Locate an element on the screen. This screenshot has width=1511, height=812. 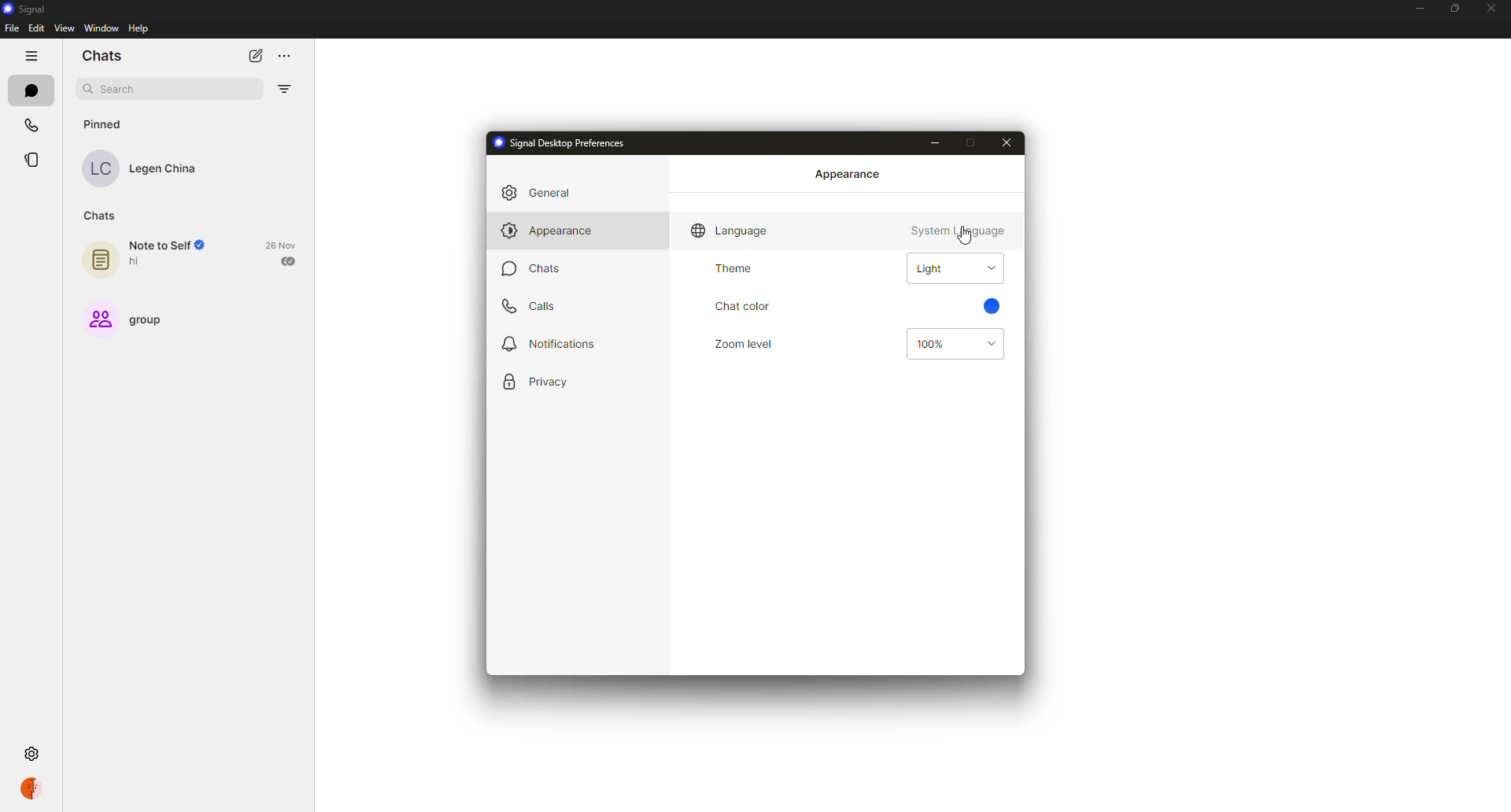
appearance is located at coordinates (548, 231).